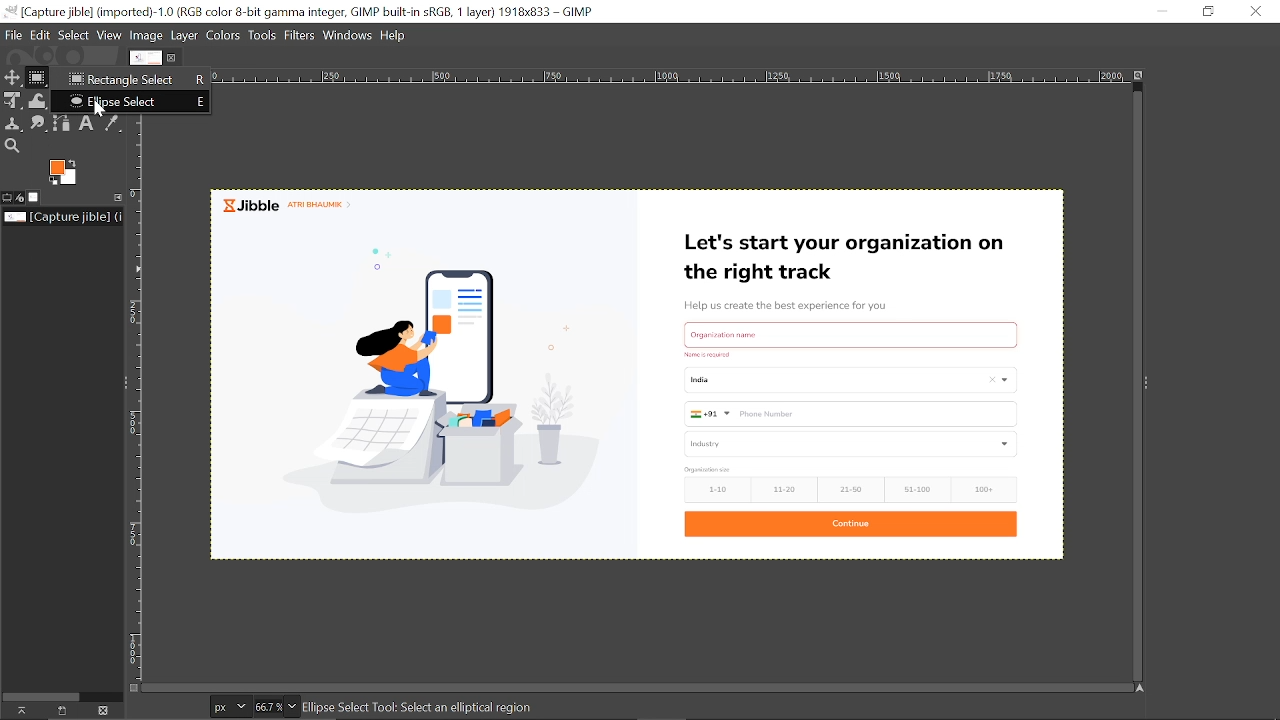  What do you see at coordinates (41, 35) in the screenshot?
I see `Edit` at bounding box center [41, 35].